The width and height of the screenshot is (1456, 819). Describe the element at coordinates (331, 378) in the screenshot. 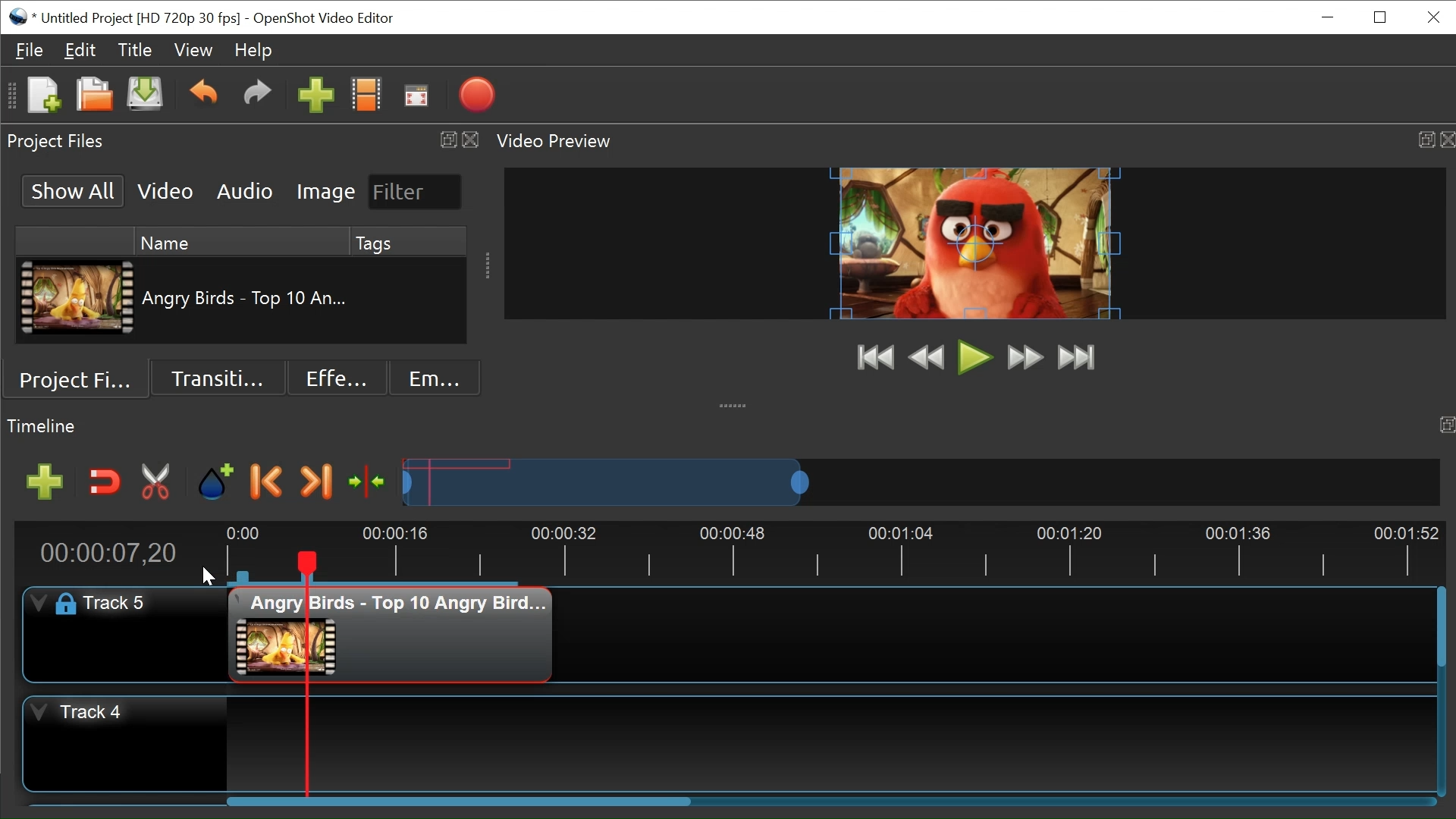

I see `Effects` at that location.